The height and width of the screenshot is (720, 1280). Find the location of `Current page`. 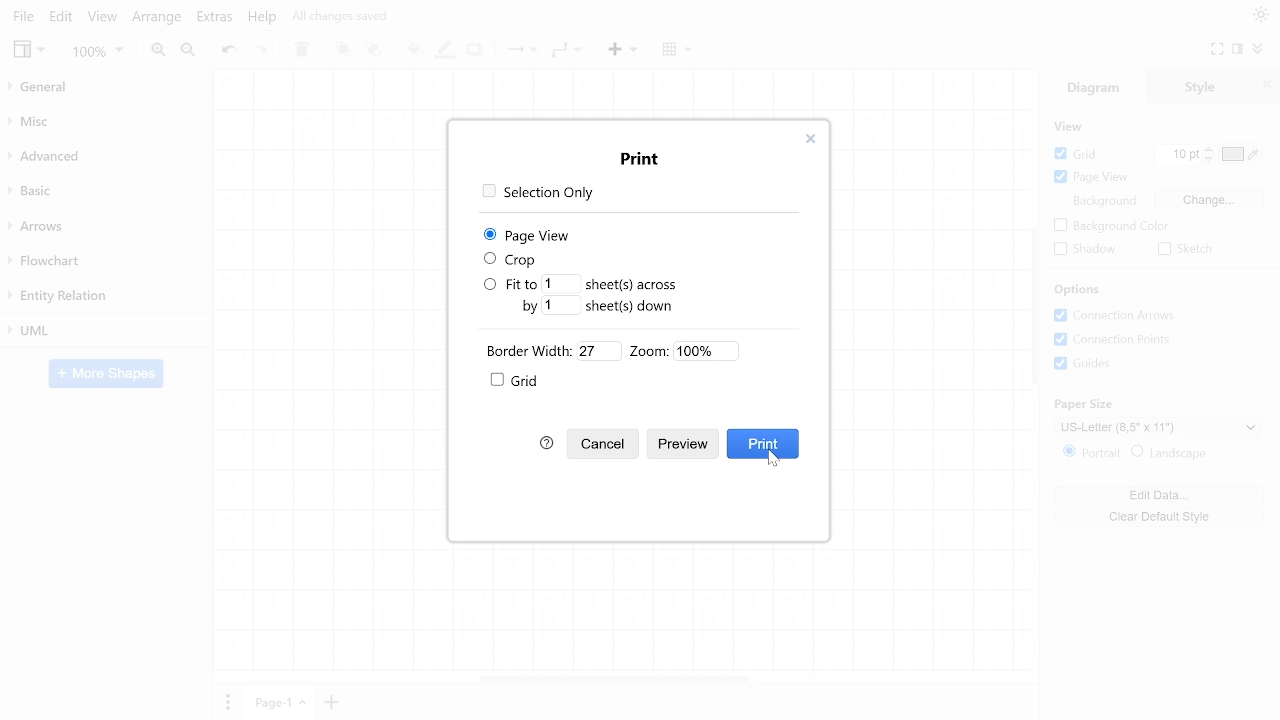

Current page is located at coordinates (282, 701).